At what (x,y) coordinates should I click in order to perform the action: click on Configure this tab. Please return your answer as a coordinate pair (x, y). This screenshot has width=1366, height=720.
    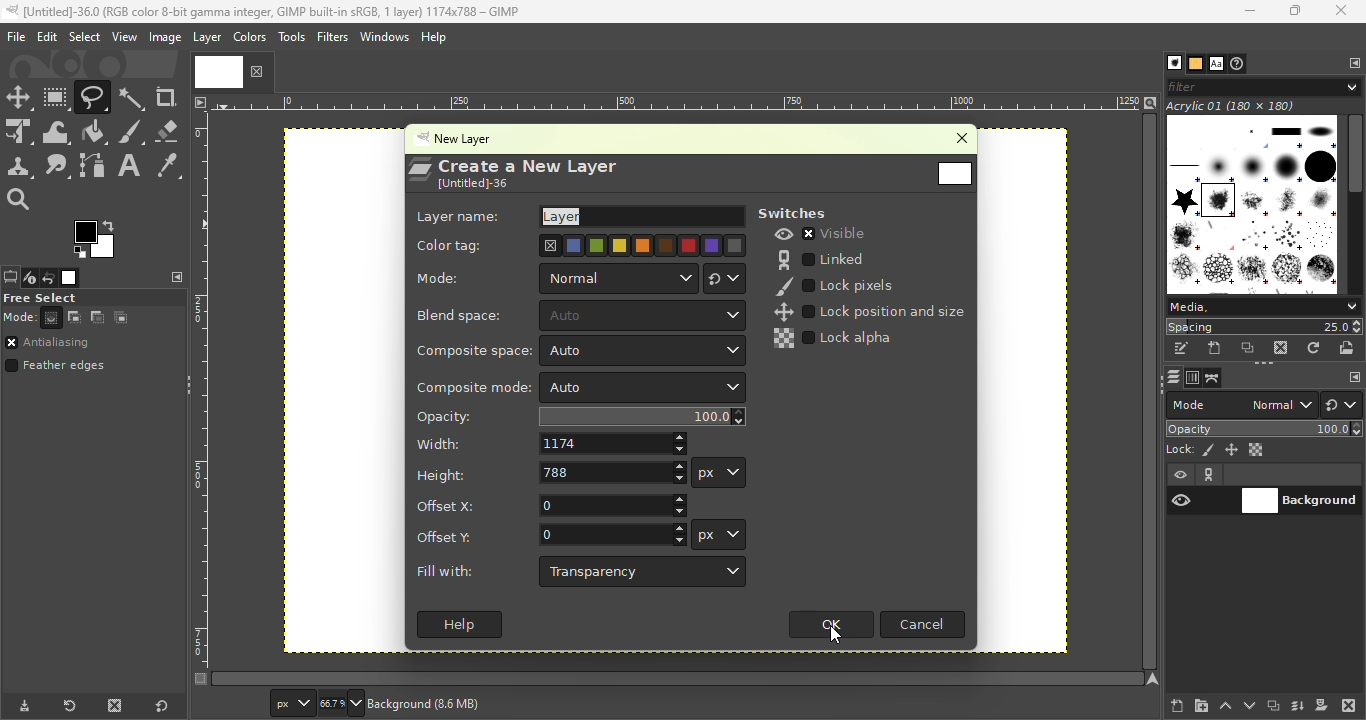
    Looking at the image, I should click on (1351, 62).